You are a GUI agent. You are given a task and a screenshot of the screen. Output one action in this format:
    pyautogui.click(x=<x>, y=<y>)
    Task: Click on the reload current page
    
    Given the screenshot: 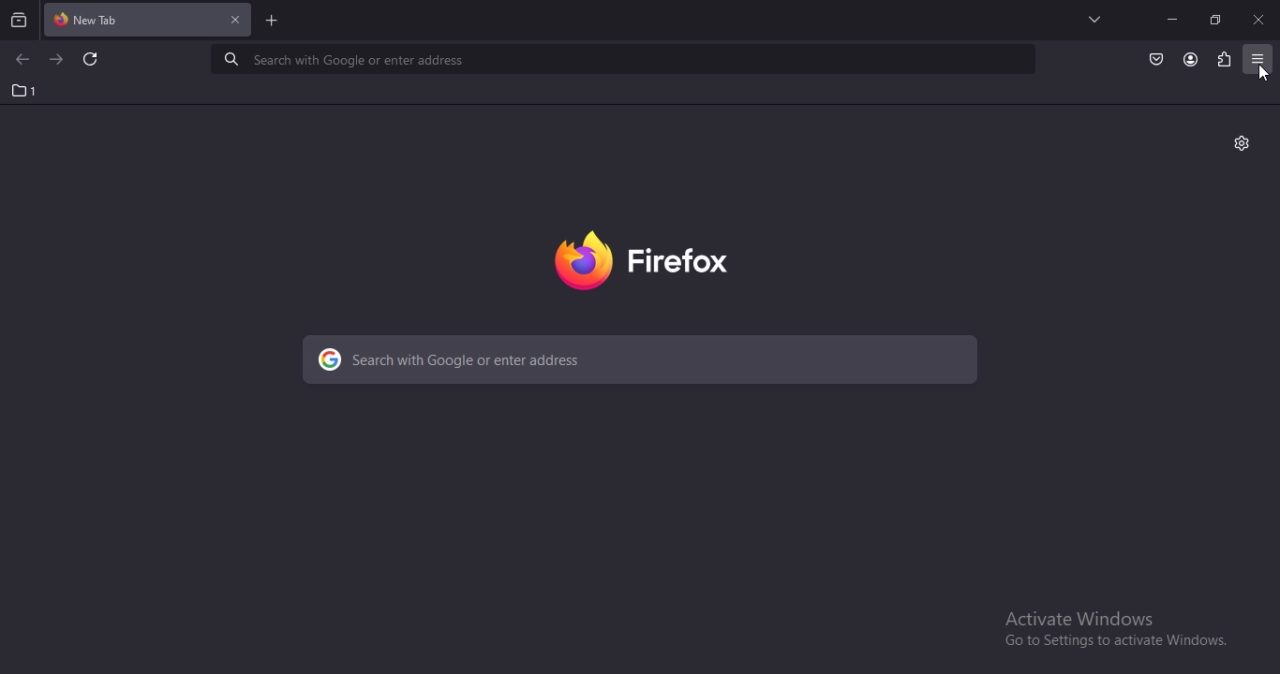 What is the action you would take?
    pyautogui.click(x=89, y=59)
    